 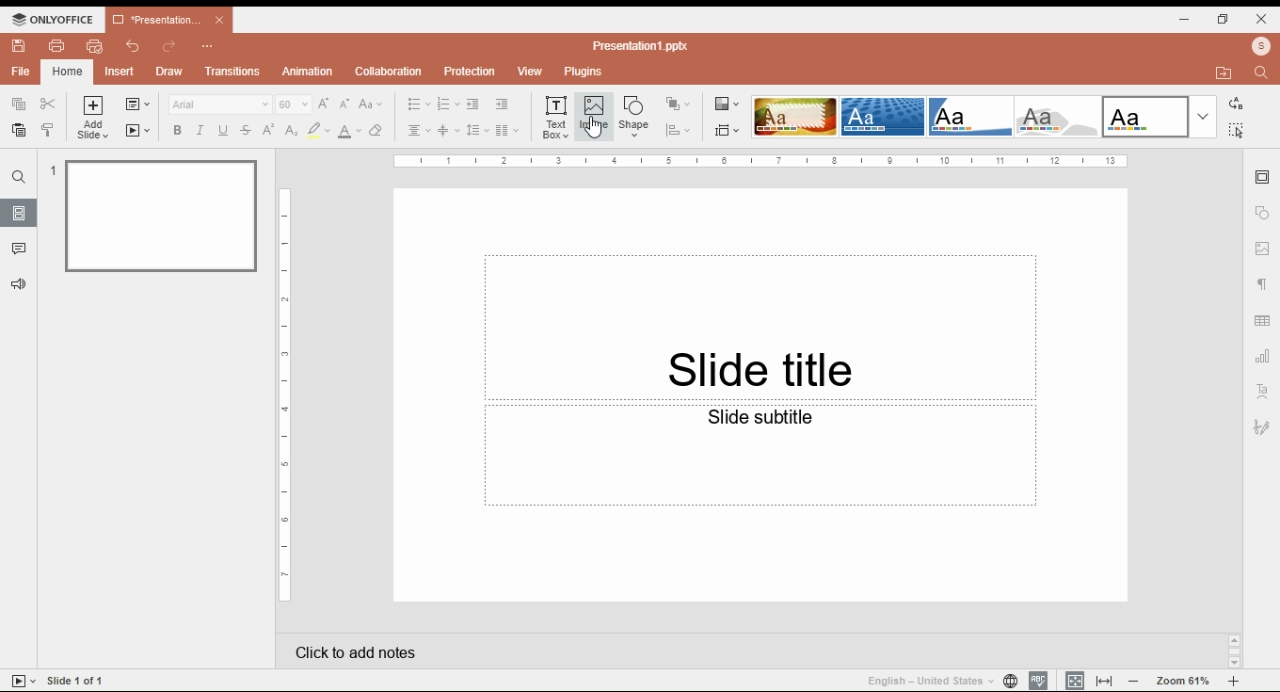 What do you see at coordinates (529, 70) in the screenshot?
I see `view` at bounding box center [529, 70].